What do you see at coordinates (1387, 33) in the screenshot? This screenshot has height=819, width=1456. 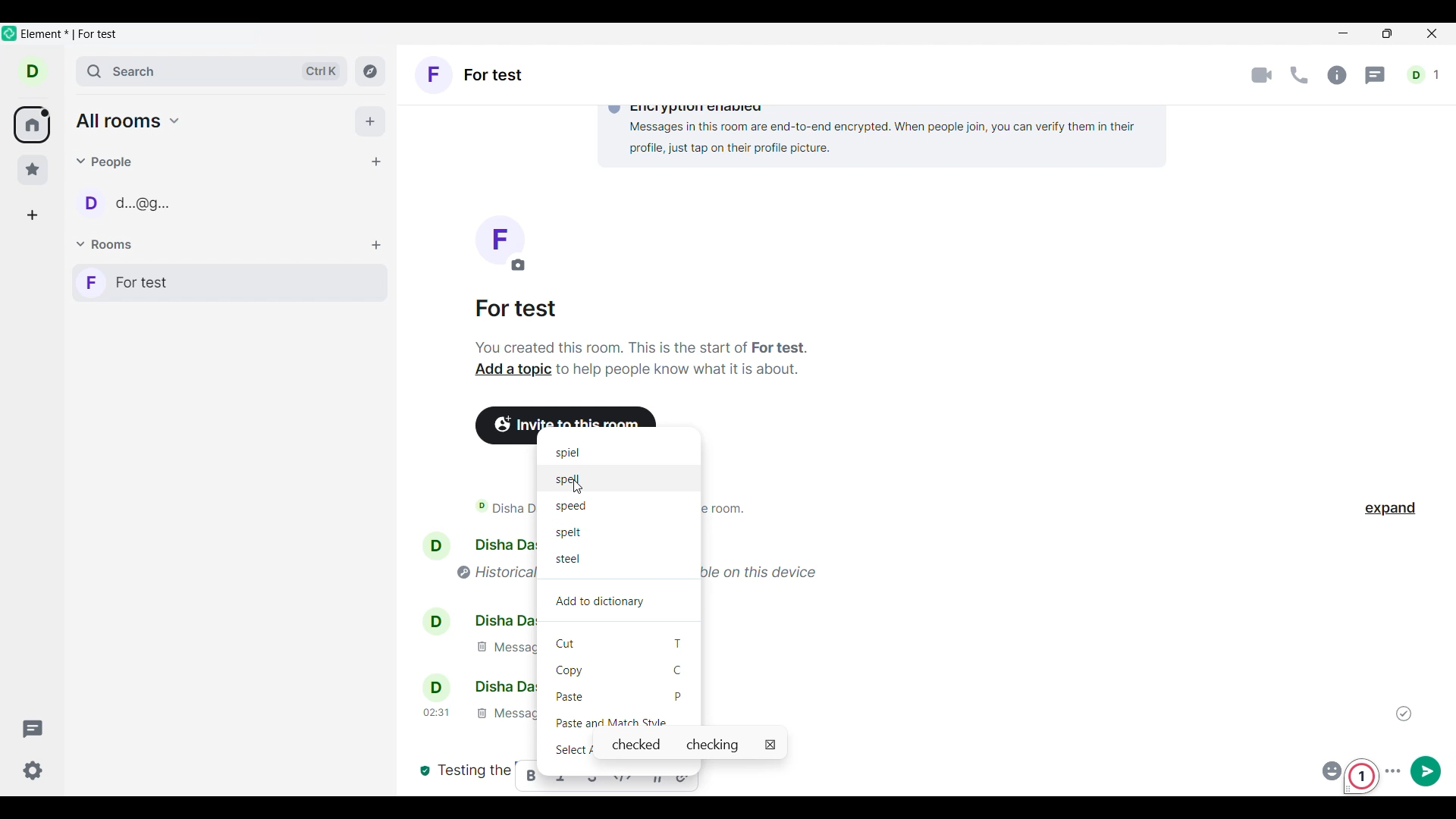 I see `Show in smaller tab` at bounding box center [1387, 33].